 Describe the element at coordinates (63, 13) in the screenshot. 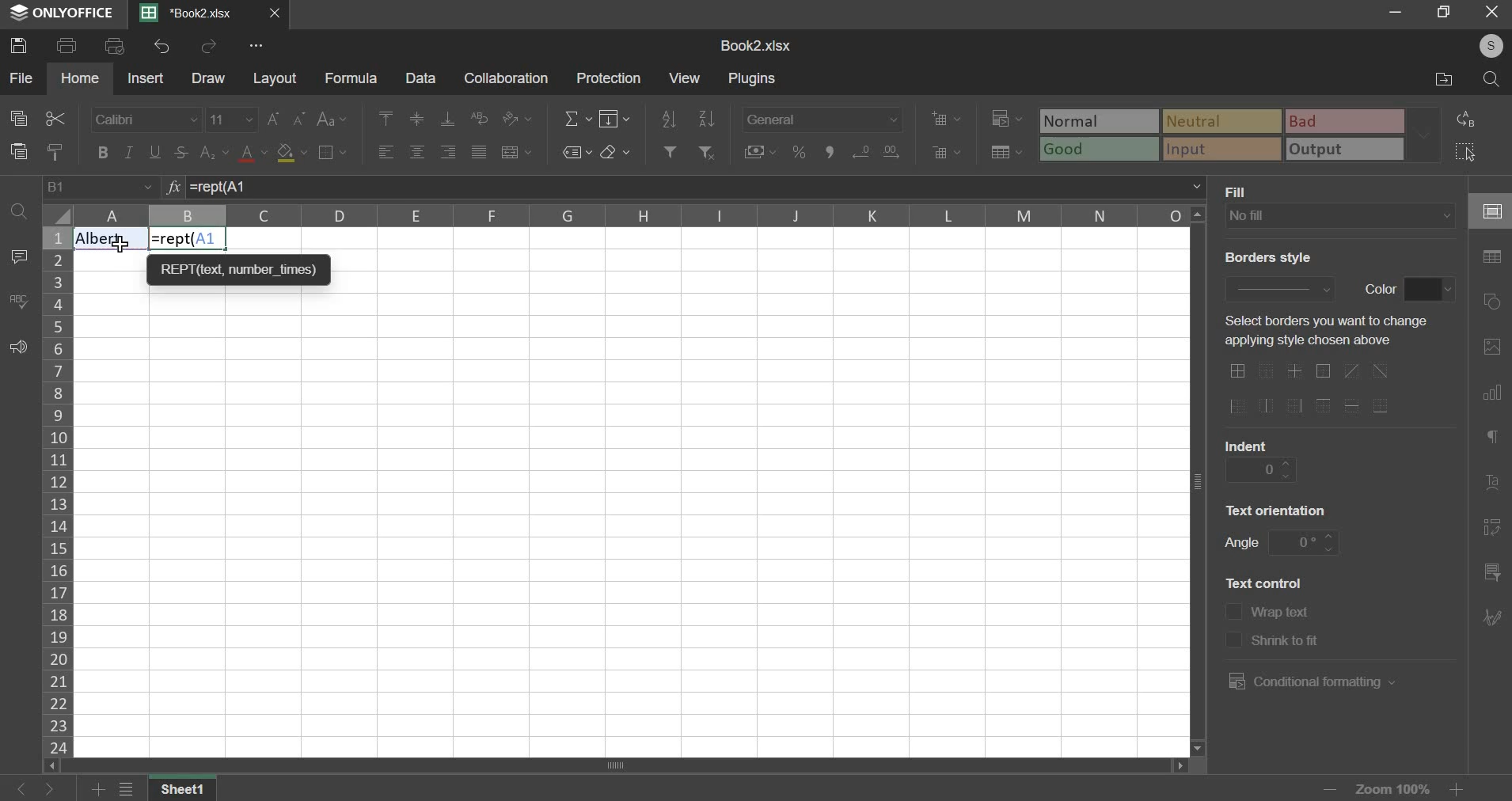

I see `ONLYOFFICE logo` at that location.